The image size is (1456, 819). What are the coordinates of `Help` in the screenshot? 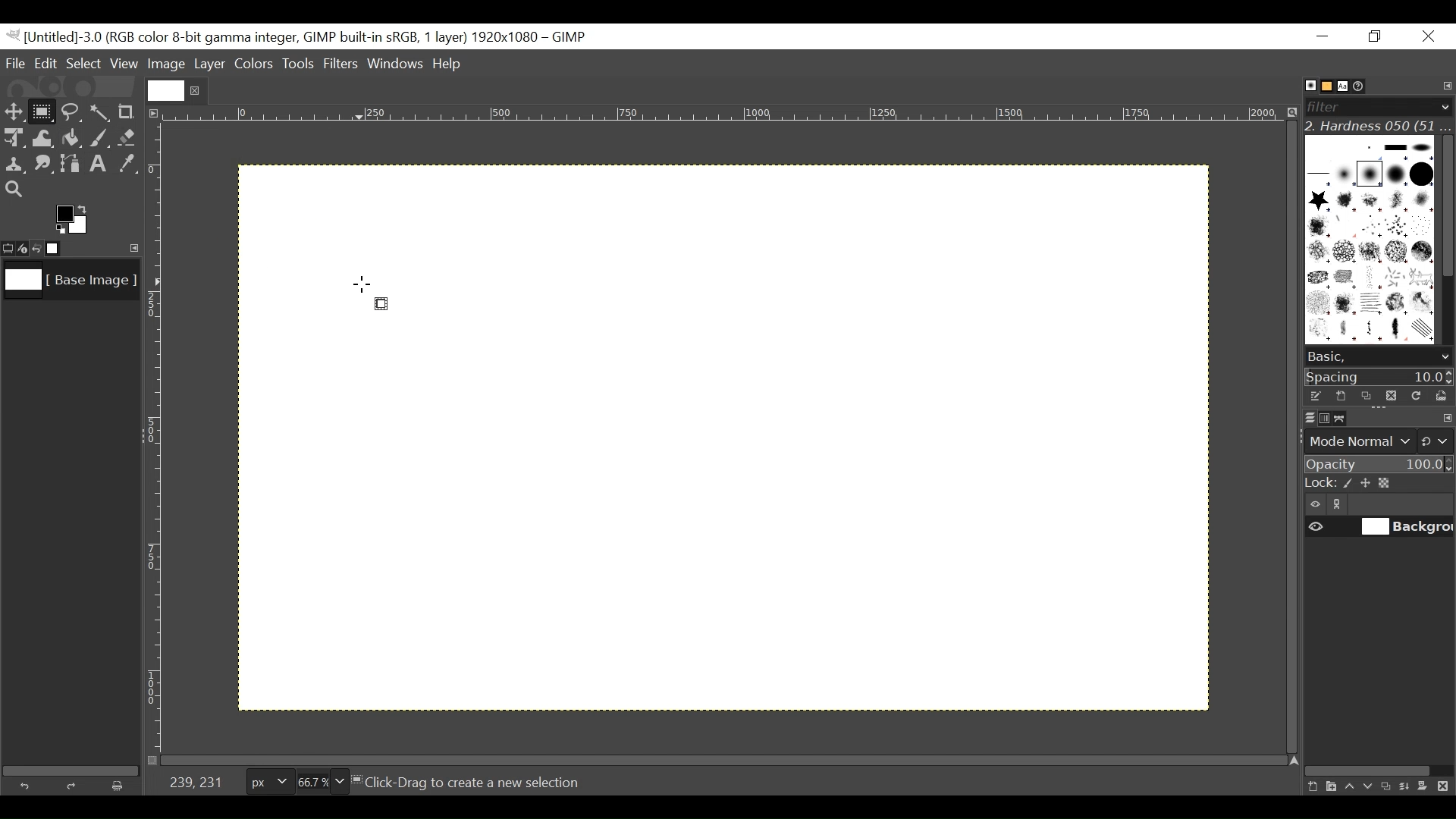 It's located at (450, 65).